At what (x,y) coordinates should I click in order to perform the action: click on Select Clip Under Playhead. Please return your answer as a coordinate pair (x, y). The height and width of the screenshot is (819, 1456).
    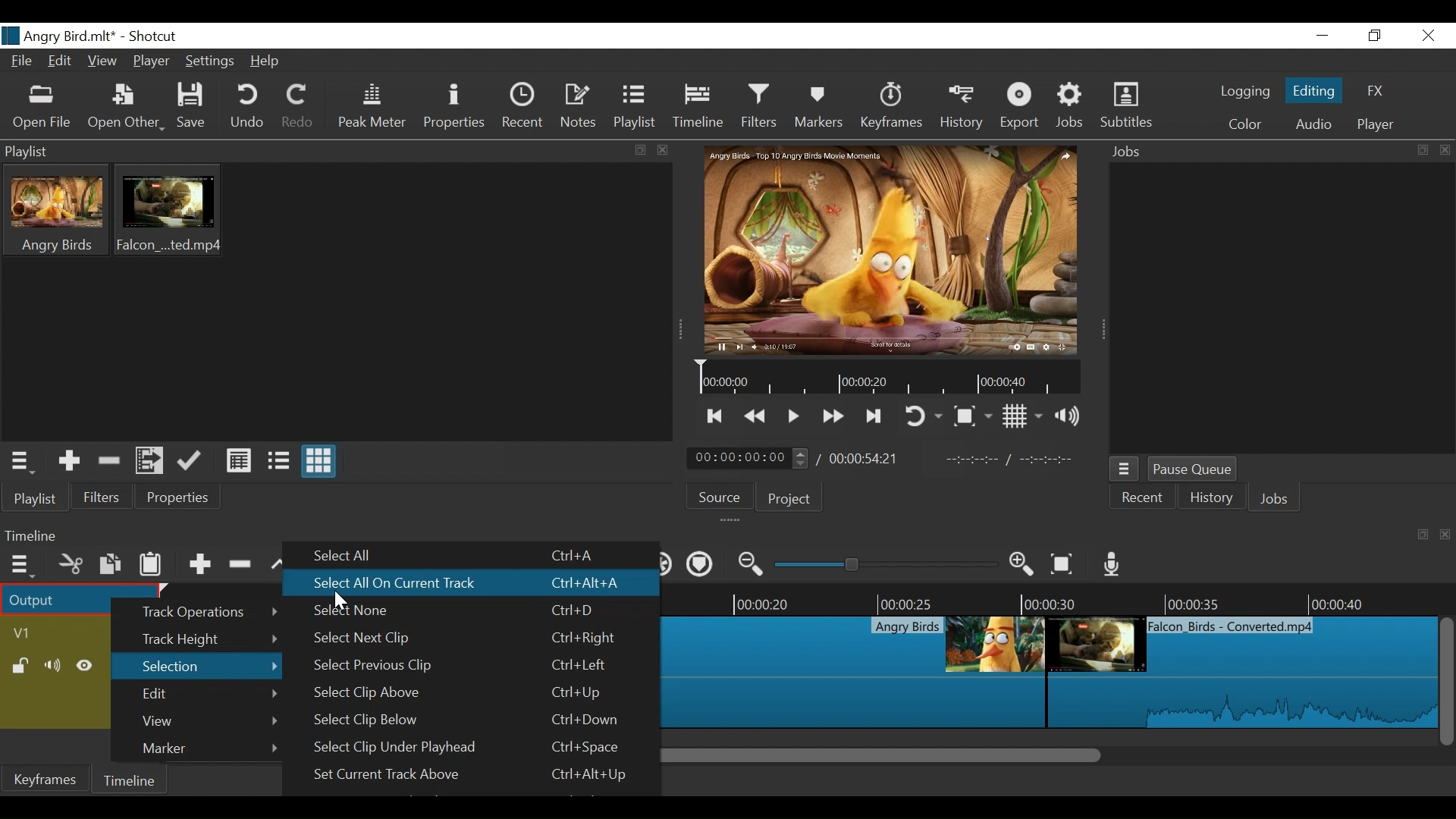
    Looking at the image, I should click on (482, 748).